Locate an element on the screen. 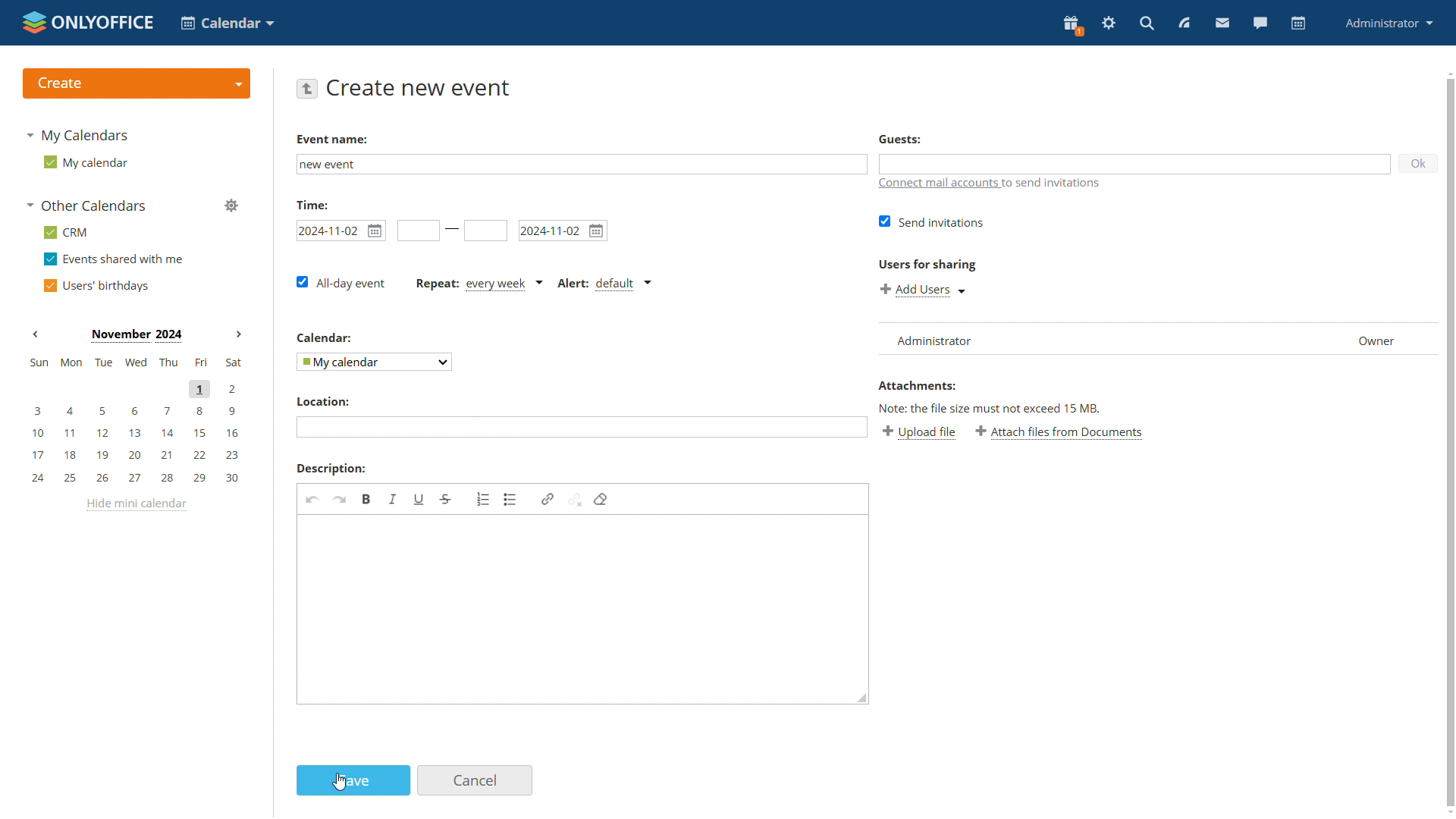 The height and width of the screenshot is (819, 1456). scroll -up is located at coordinates (1447, 71).